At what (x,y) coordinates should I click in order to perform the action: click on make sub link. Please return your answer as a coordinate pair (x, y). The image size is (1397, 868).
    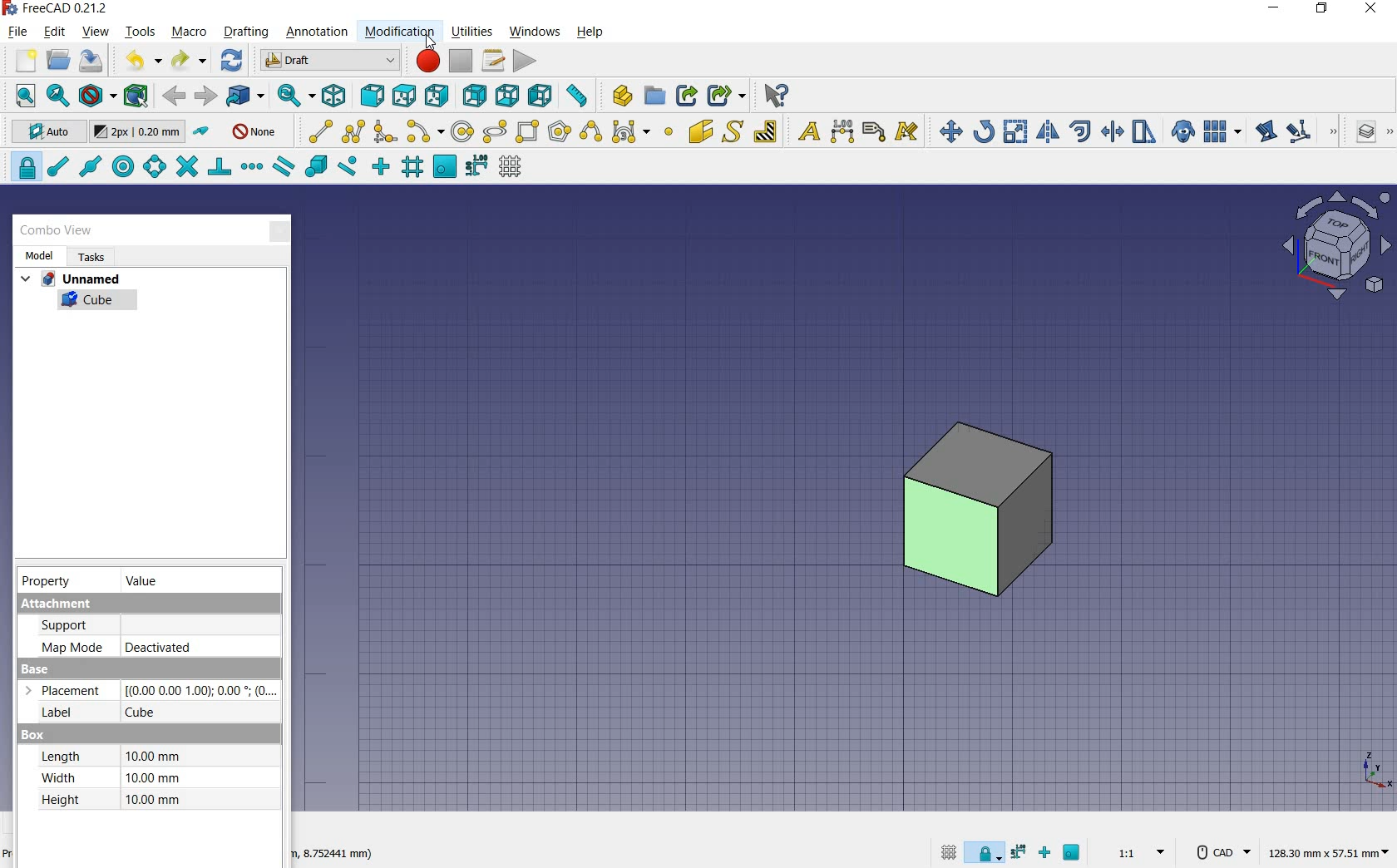
    Looking at the image, I should click on (726, 96).